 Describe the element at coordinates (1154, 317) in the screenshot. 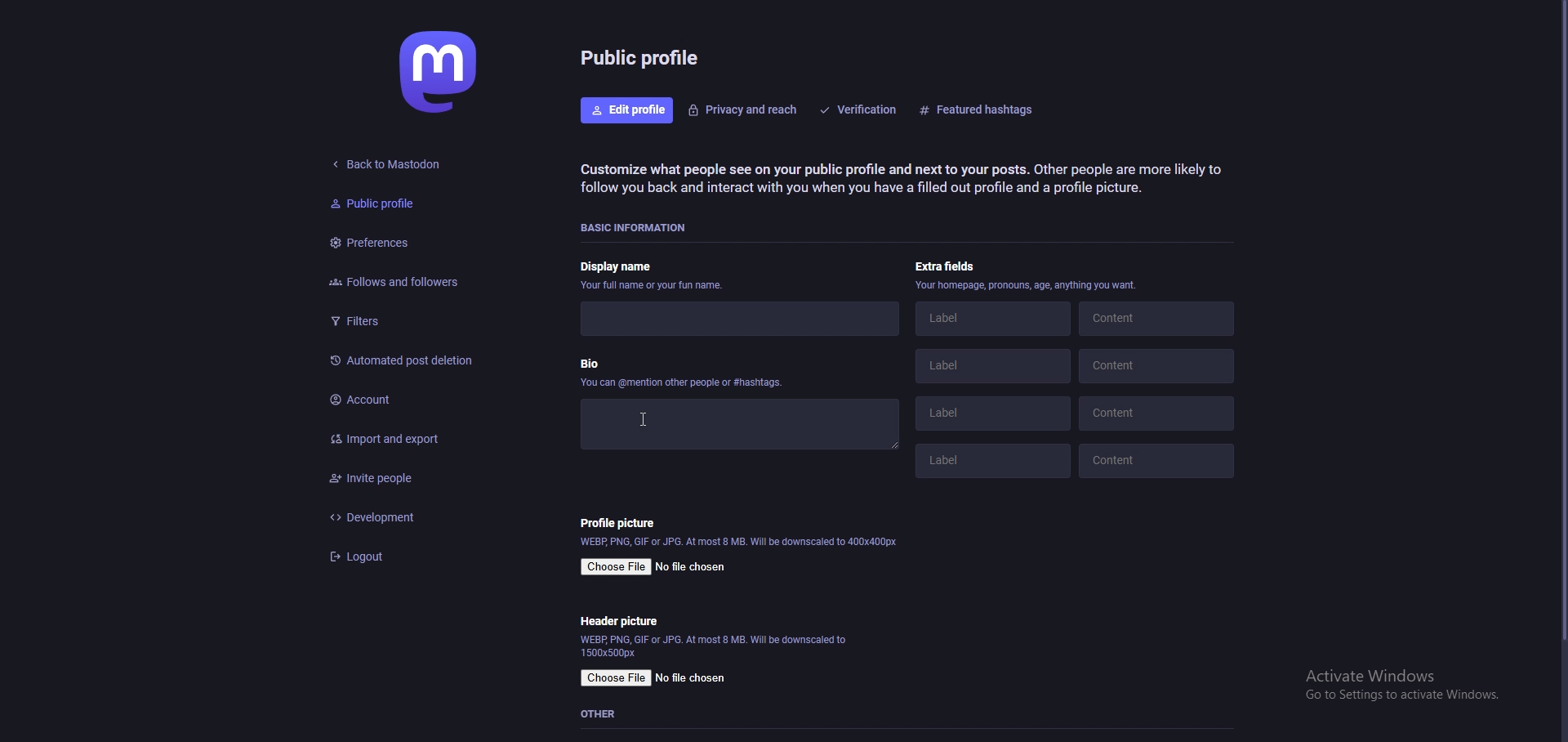

I see `content` at that location.